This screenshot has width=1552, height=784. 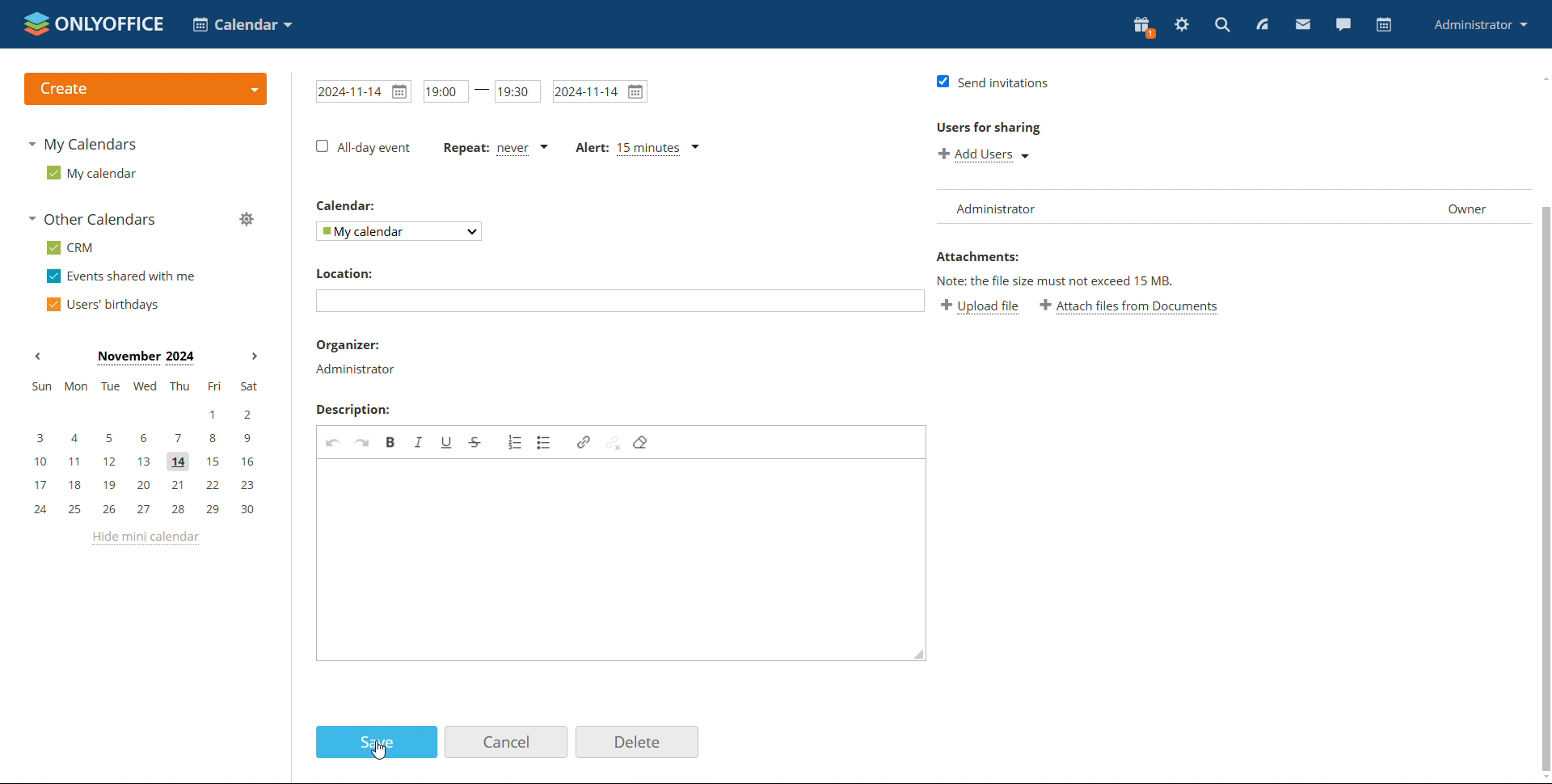 What do you see at coordinates (94, 24) in the screenshot?
I see `logo` at bounding box center [94, 24].